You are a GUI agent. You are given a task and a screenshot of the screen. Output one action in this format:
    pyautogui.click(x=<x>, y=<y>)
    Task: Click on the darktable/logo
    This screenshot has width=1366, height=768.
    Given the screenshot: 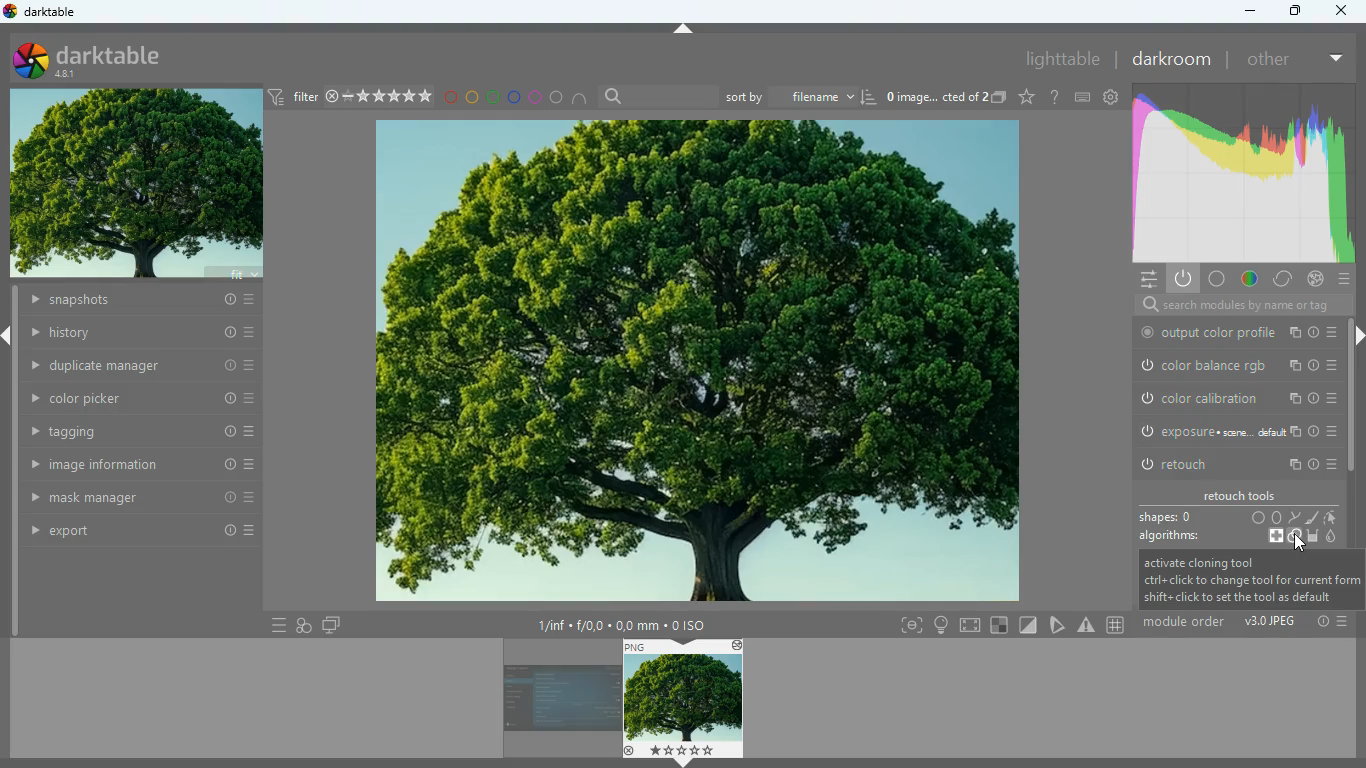 What is the action you would take?
    pyautogui.click(x=39, y=12)
    